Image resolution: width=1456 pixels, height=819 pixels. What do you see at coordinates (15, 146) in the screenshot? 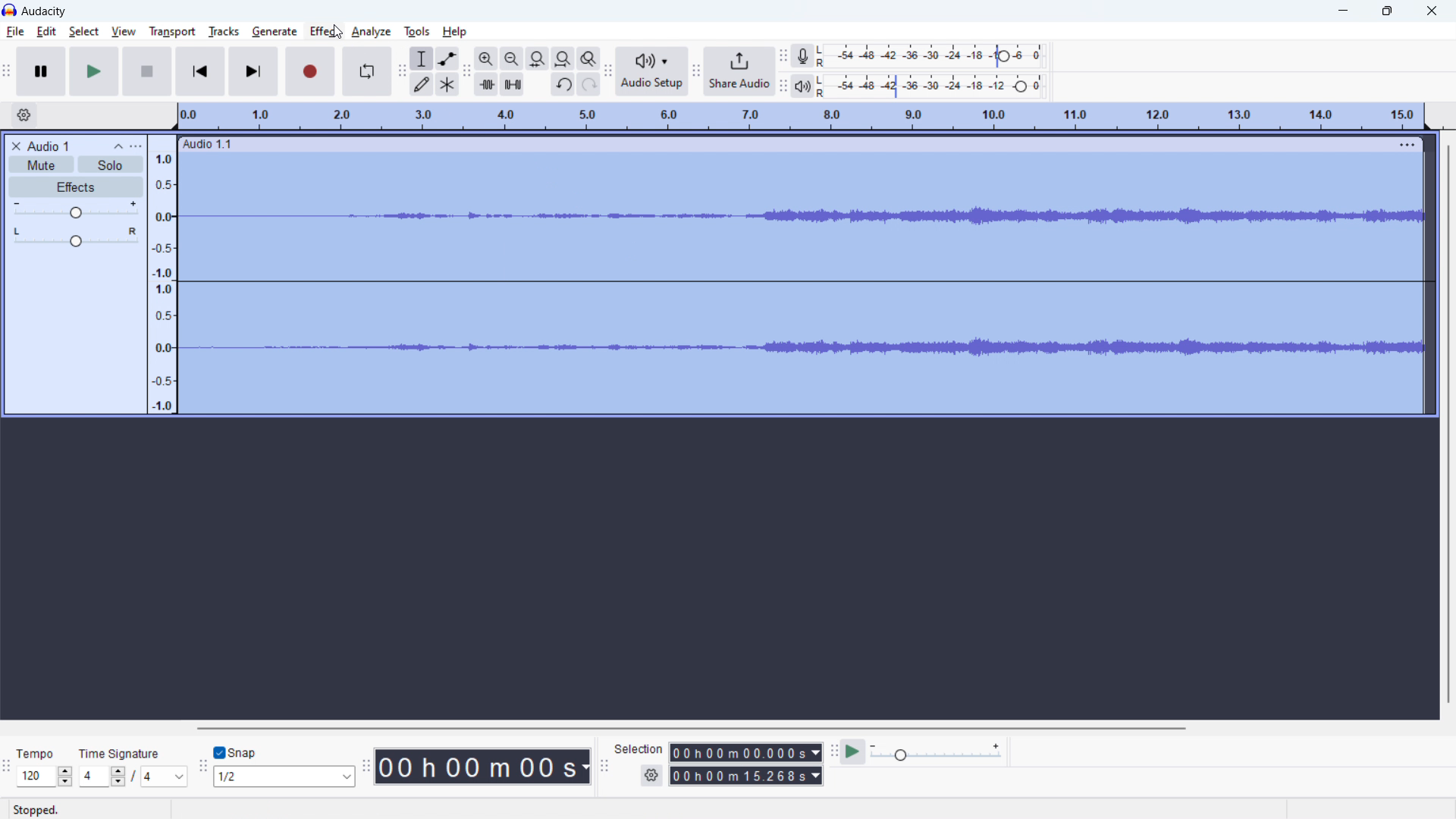
I see `delete audio` at bounding box center [15, 146].